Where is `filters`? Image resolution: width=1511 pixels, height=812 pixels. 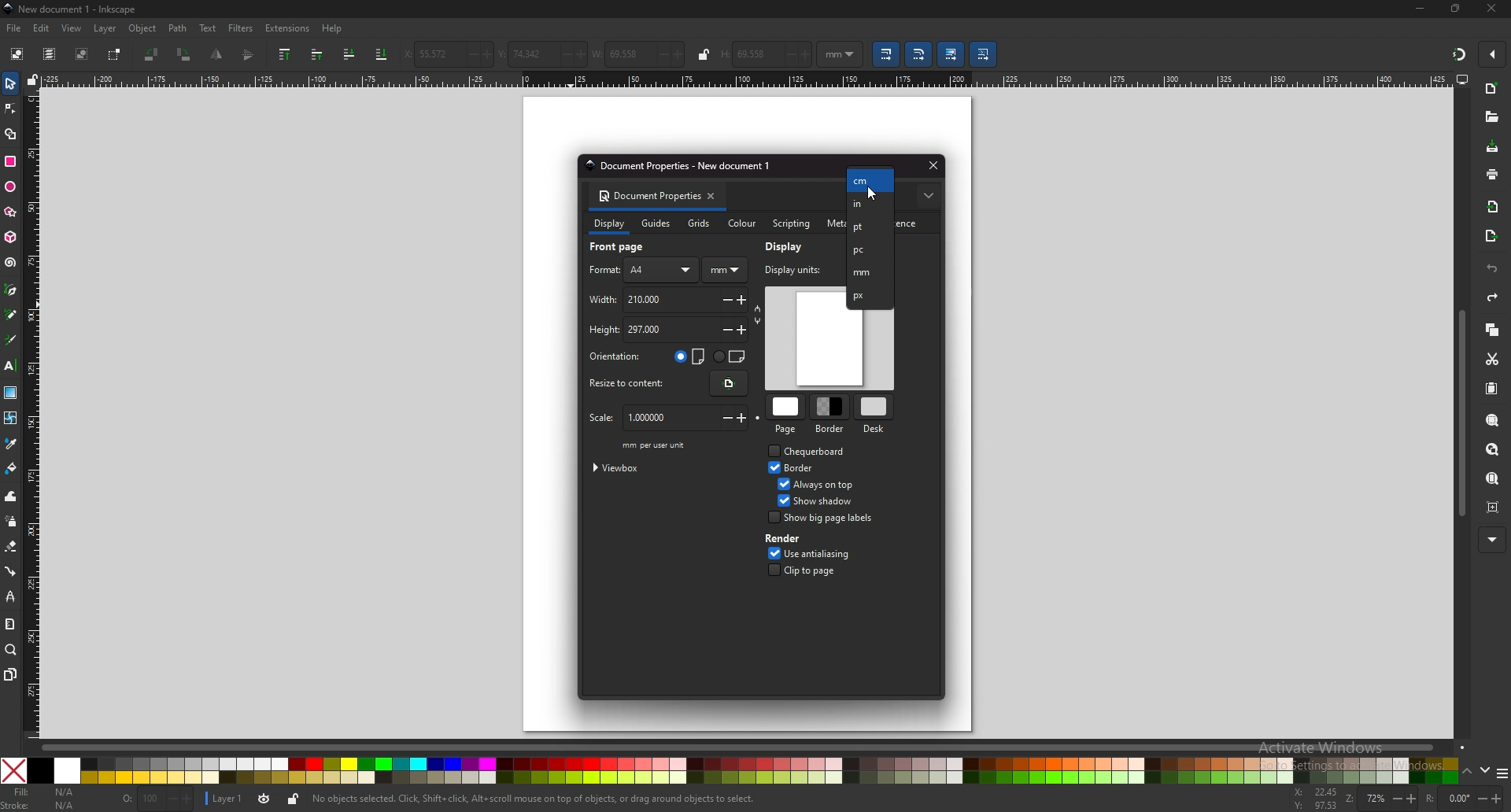 filters is located at coordinates (241, 28).